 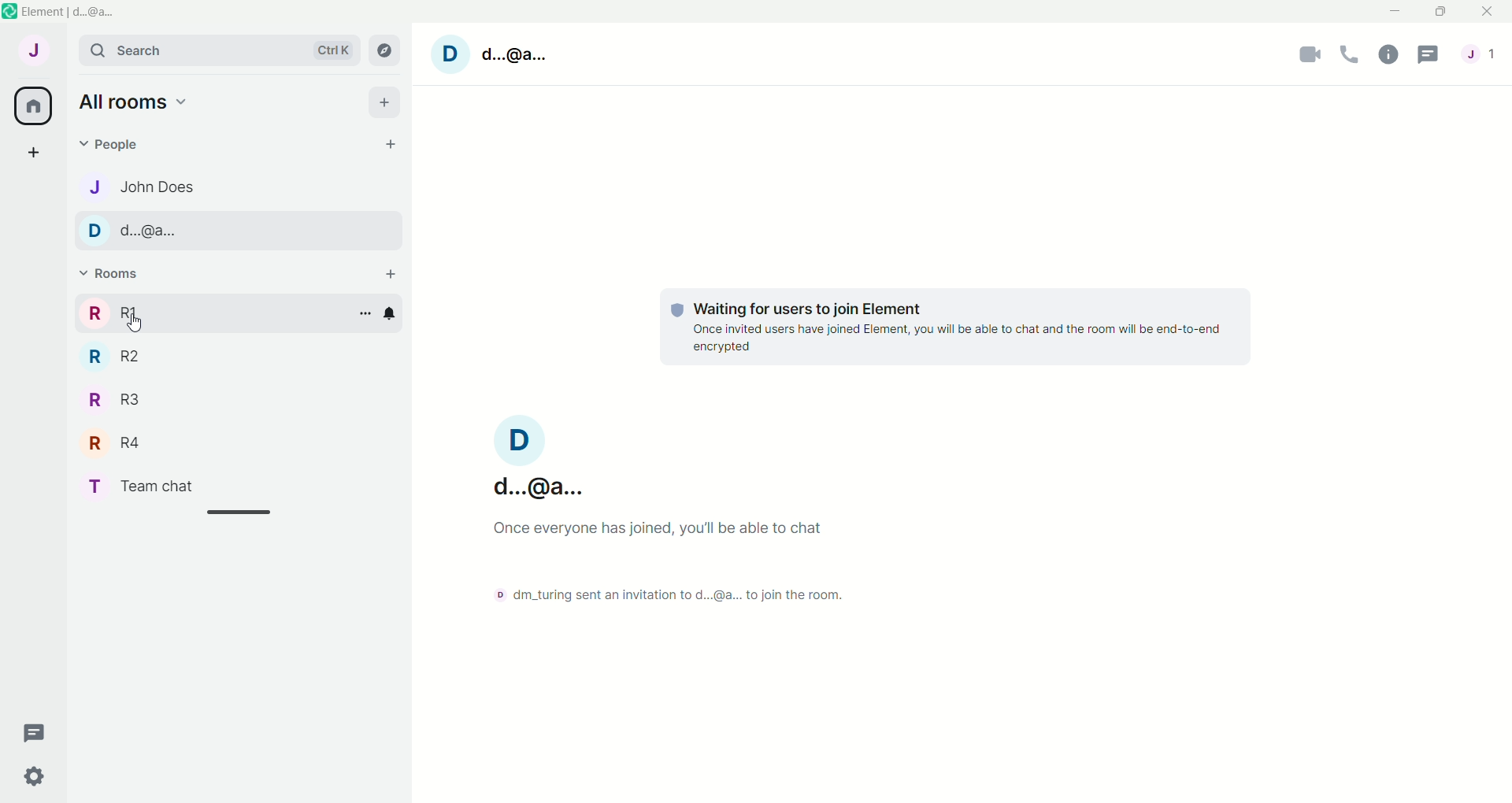 What do you see at coordinates (670, 531) in the screenshot?
I see `Once everyone has joined, you'll be able to chat` at bounding box center [670, 531].